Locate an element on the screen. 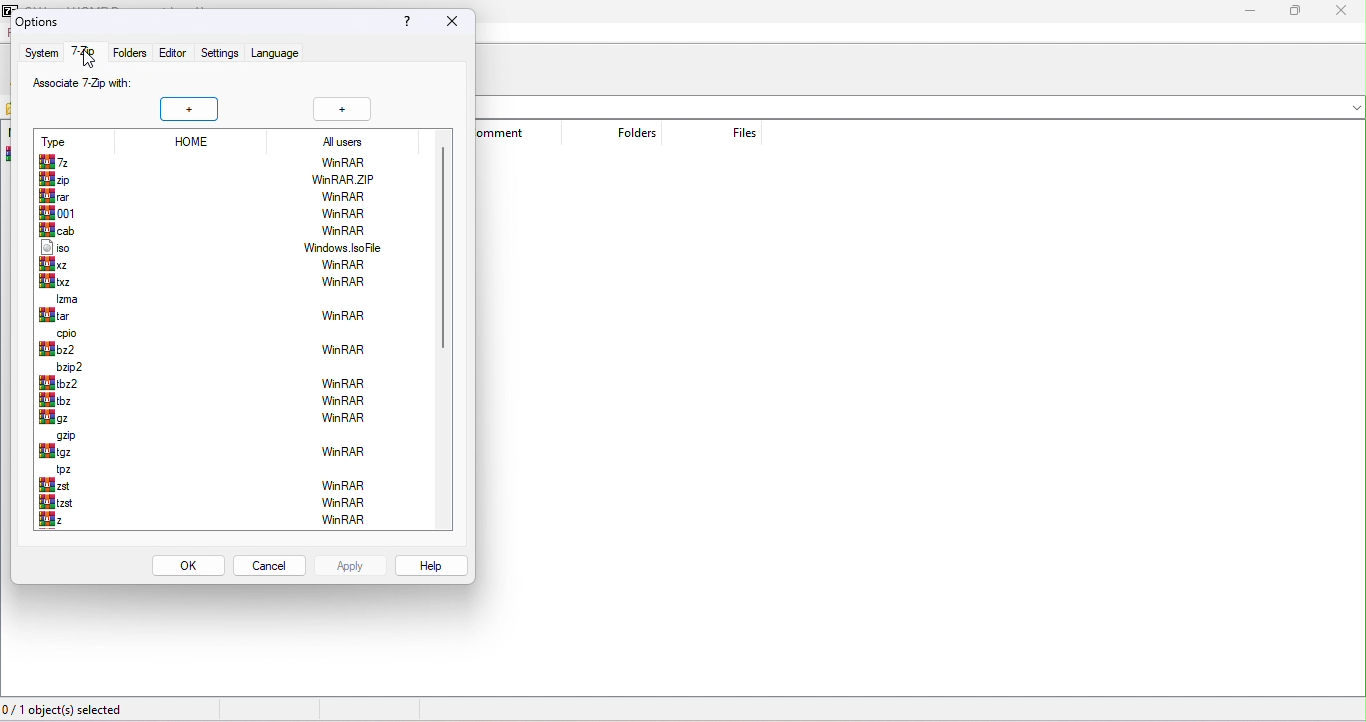 This screenshot has height=722, width=1366. tbz2 is located at coordinates (64, 382).